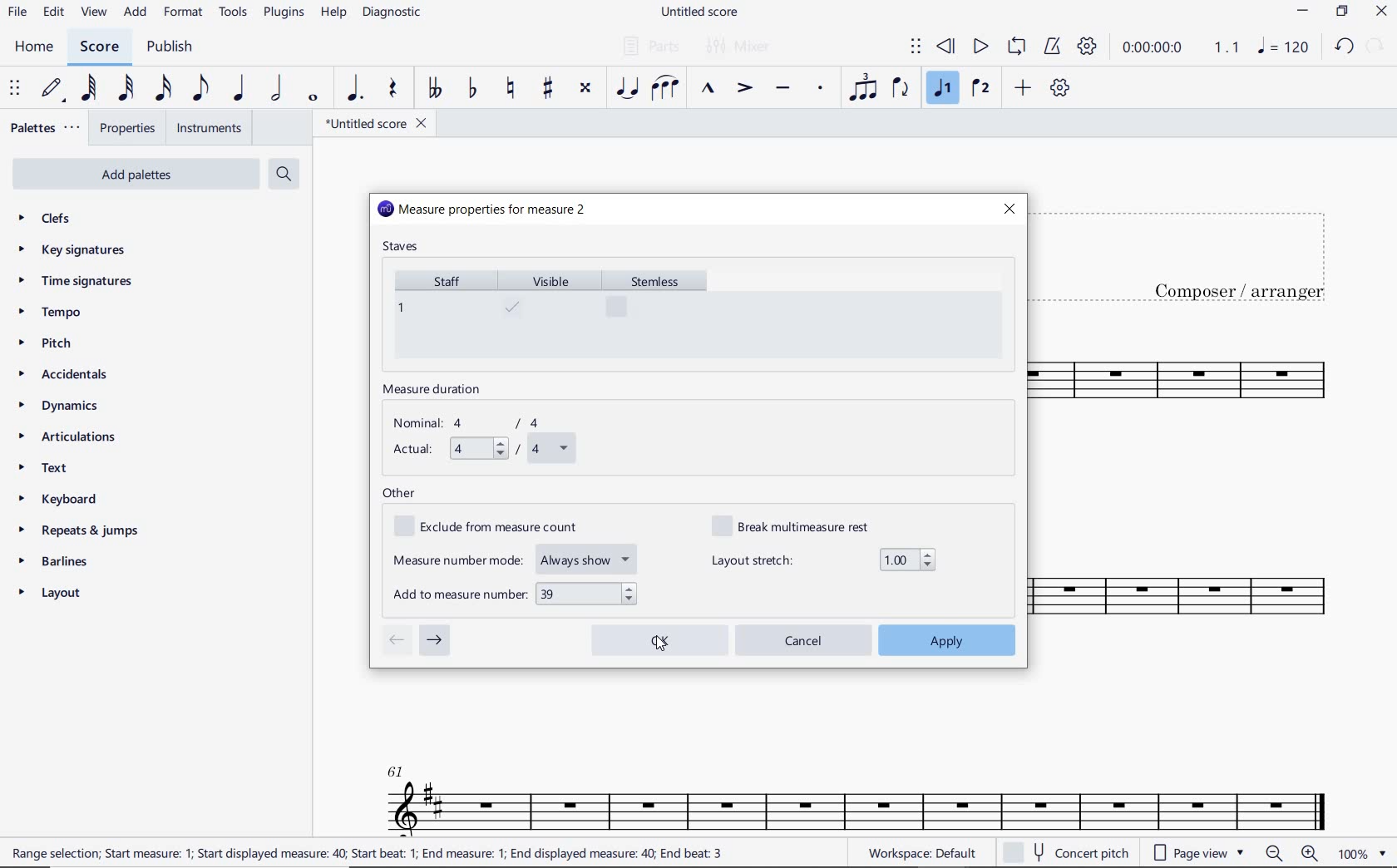 The height and width of the screenshot is (868, 1397). What do you see at coordinates (205, 127) in the screenshot?
I see `INSTRUMENTS` at bounding box center [205, 127].